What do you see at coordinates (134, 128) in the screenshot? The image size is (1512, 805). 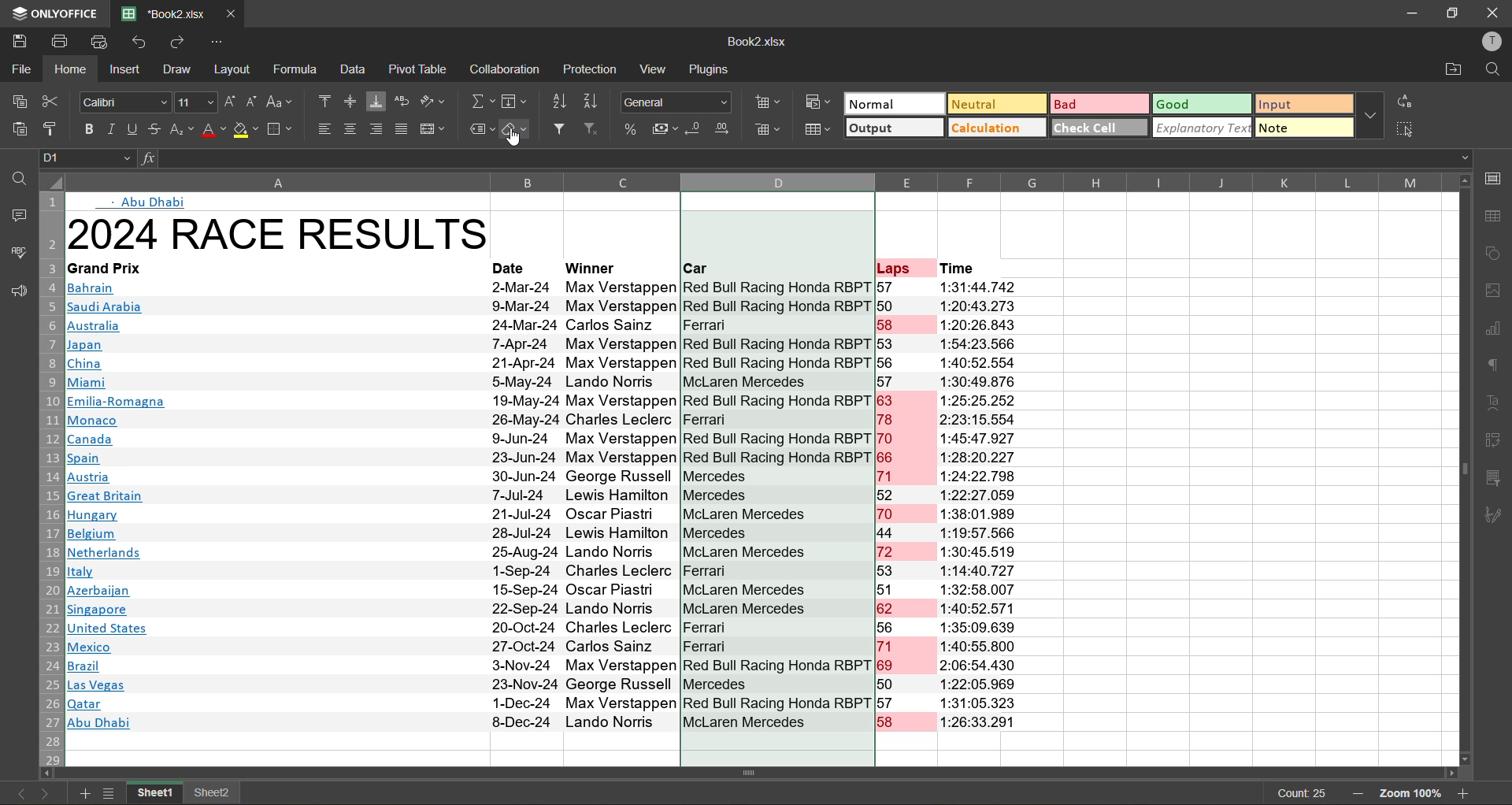 I see `underline` at bounding box center [134, 128].